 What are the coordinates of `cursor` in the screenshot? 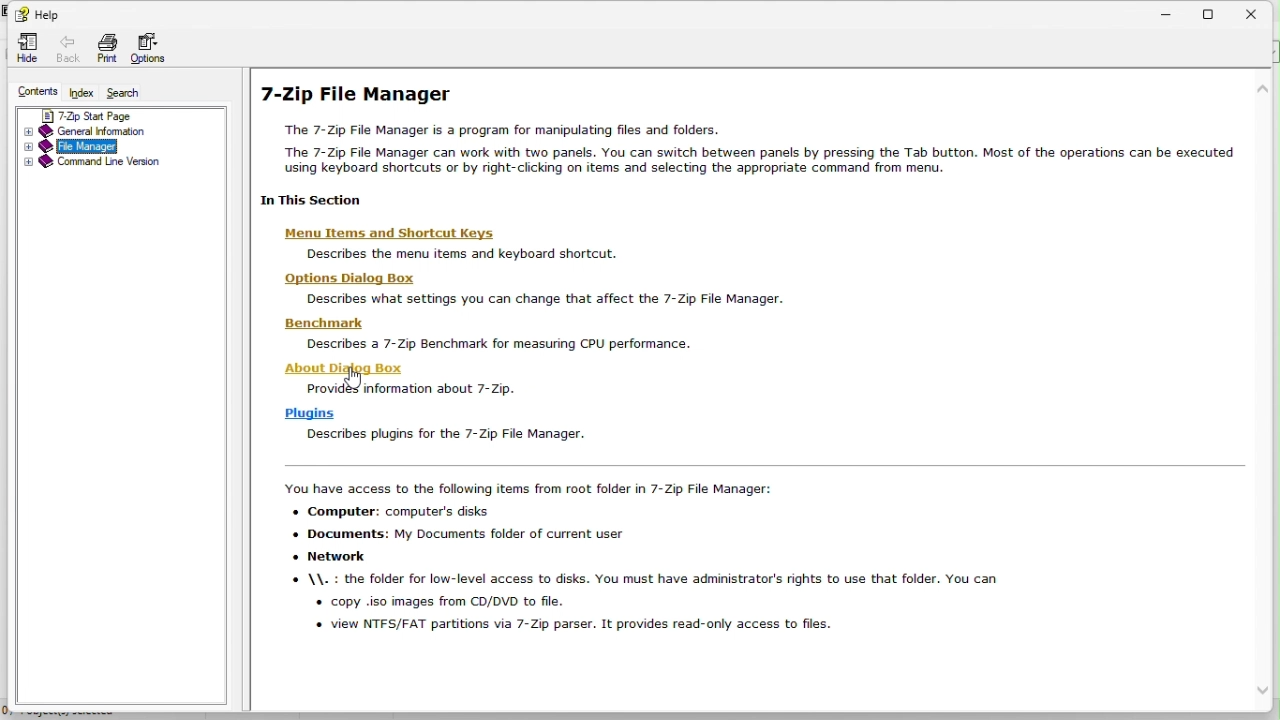 It's located at (356, 381).